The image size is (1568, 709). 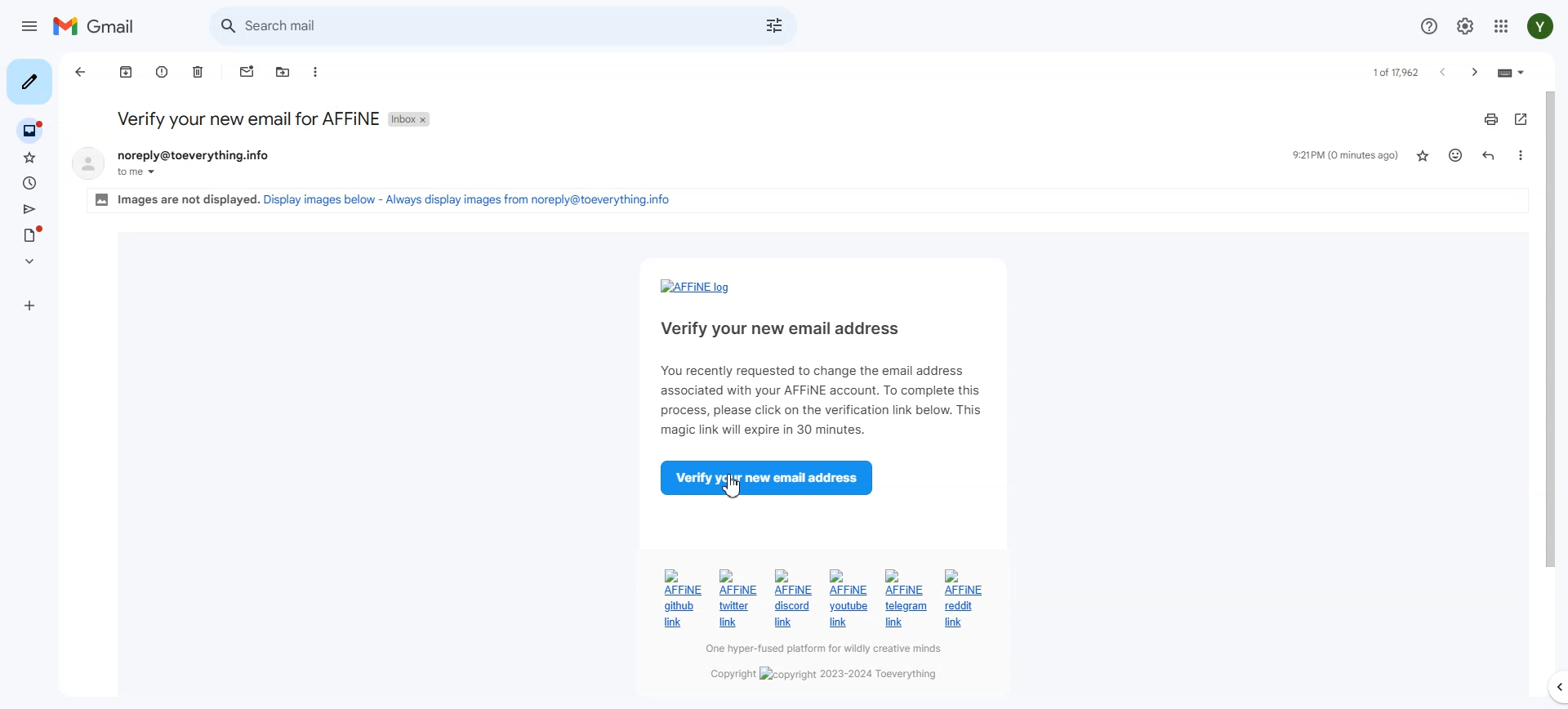 I want to click on Google account, so click(x=1539, y=27).